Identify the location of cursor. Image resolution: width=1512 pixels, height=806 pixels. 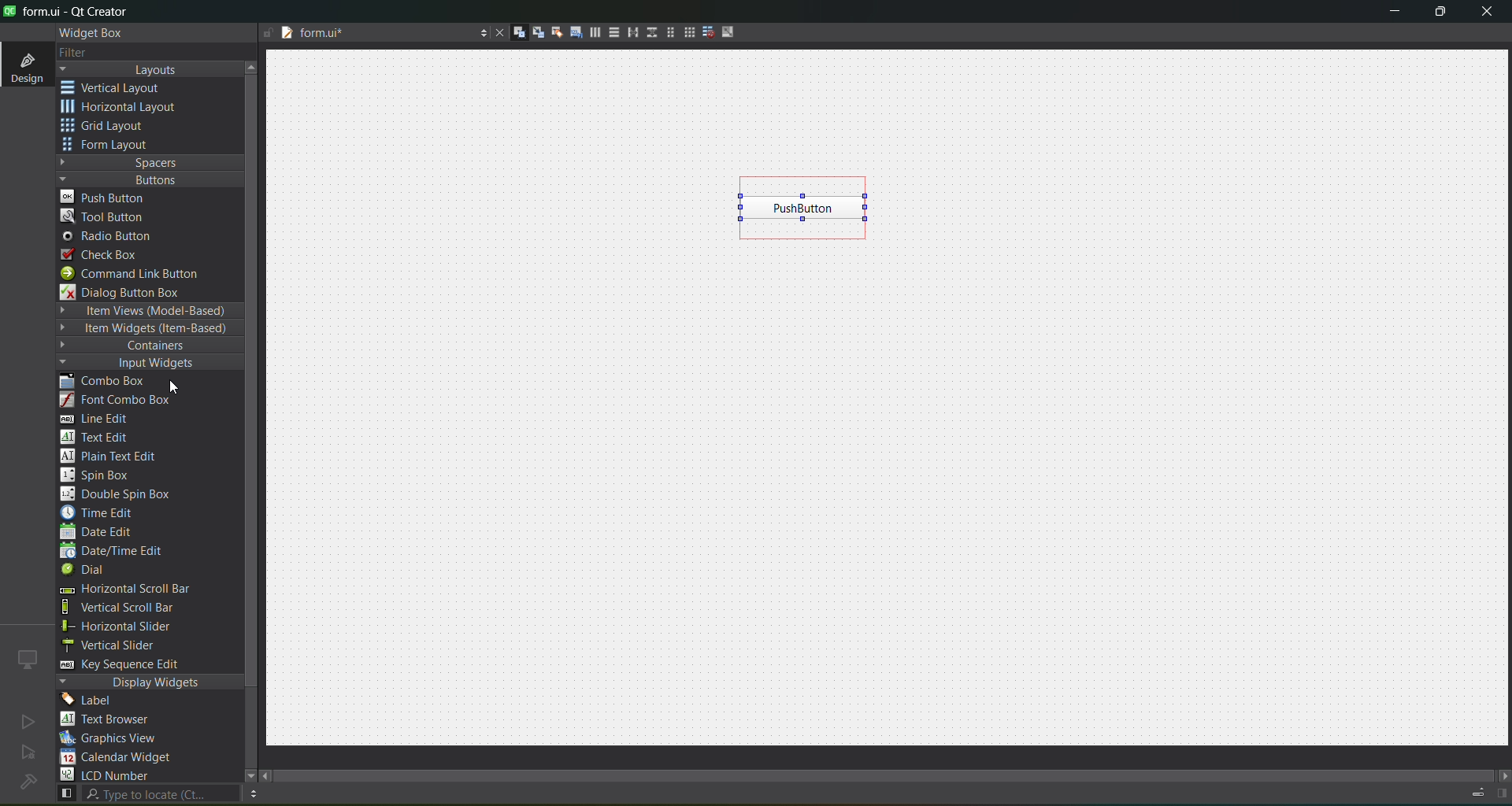
(175, 390).